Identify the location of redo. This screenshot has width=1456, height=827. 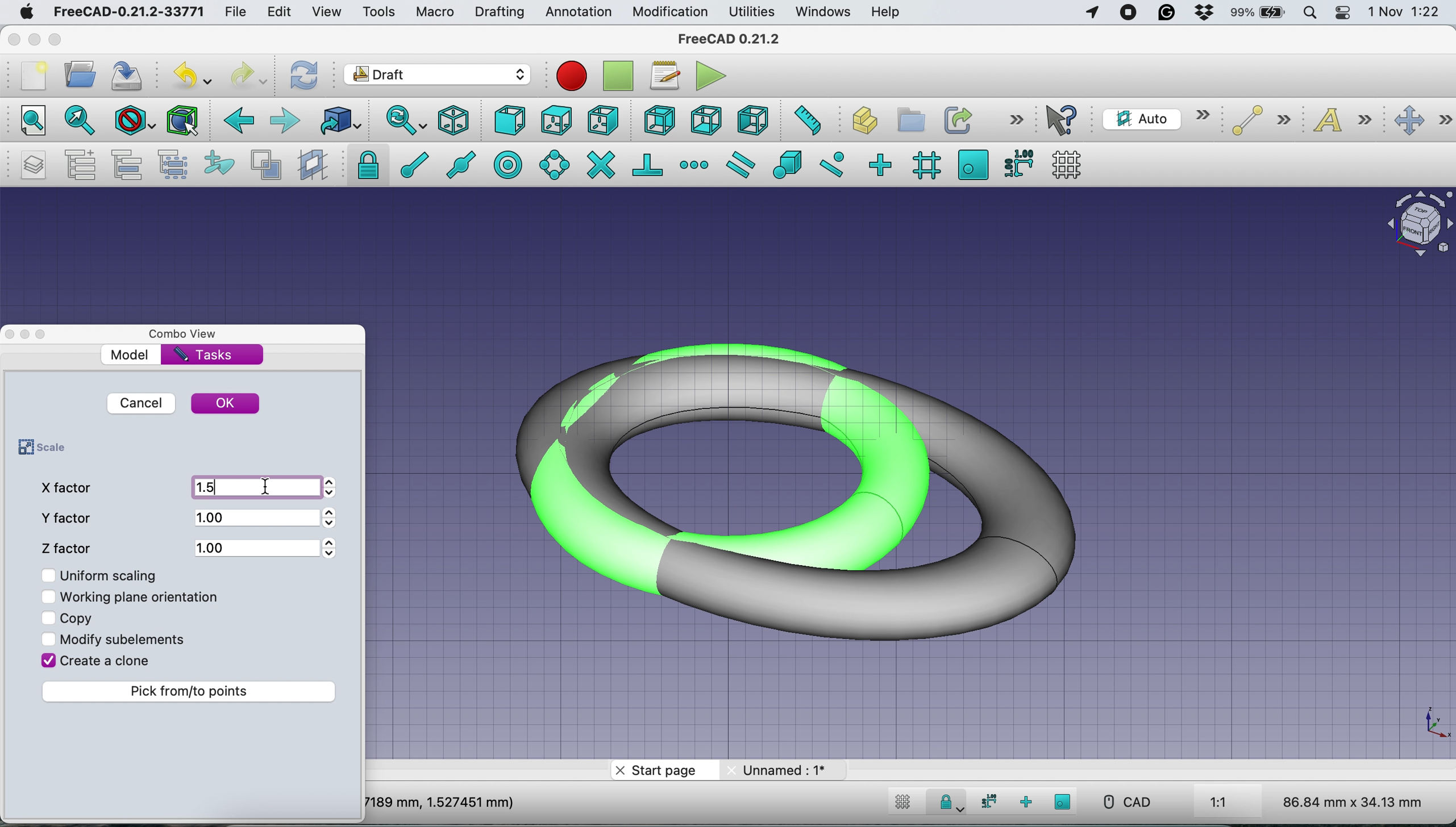
(248, 76).